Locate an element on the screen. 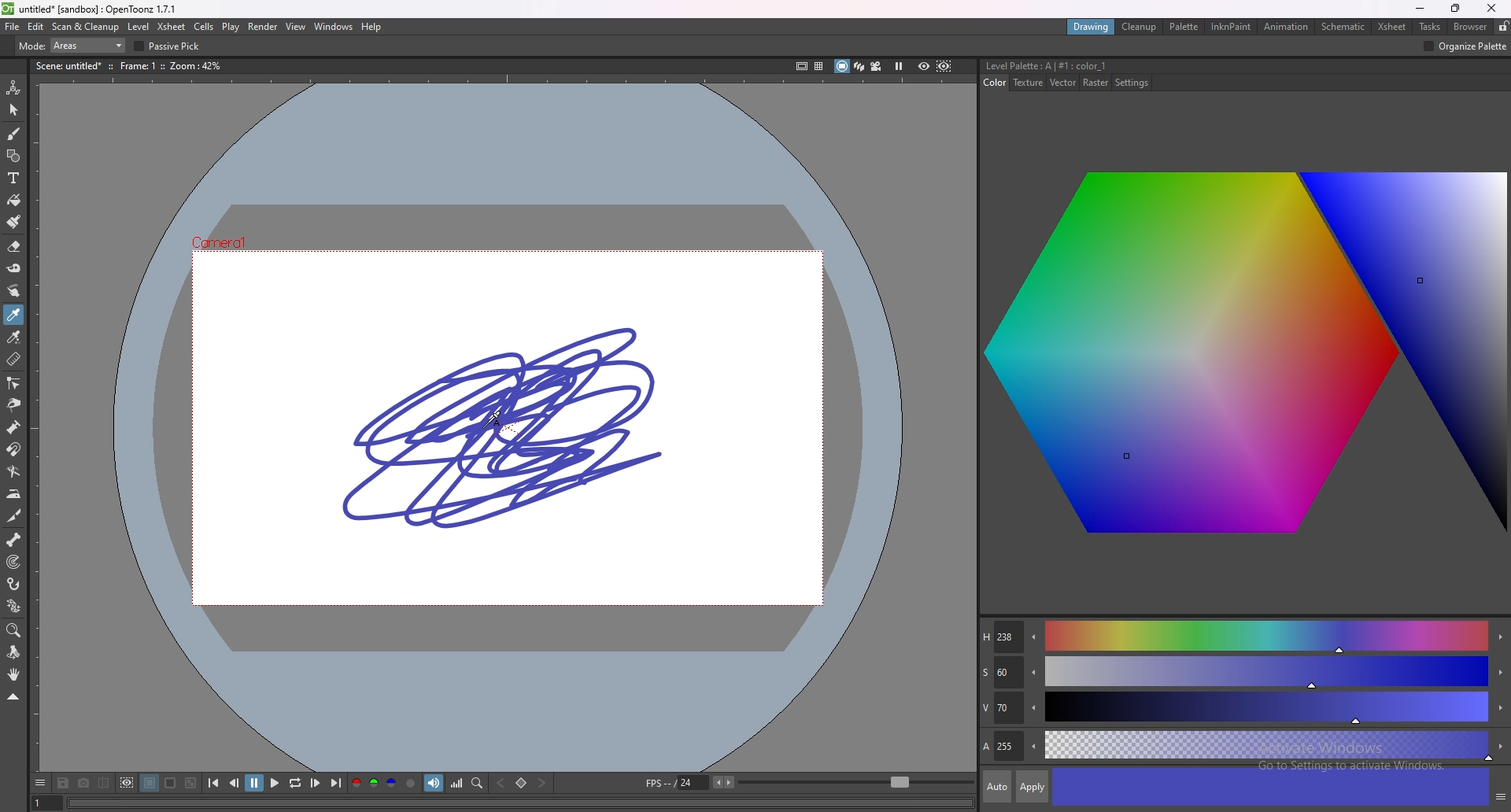 The width and height of the screenshot is (1511, 812). loop is located at coordinates (294, 783).